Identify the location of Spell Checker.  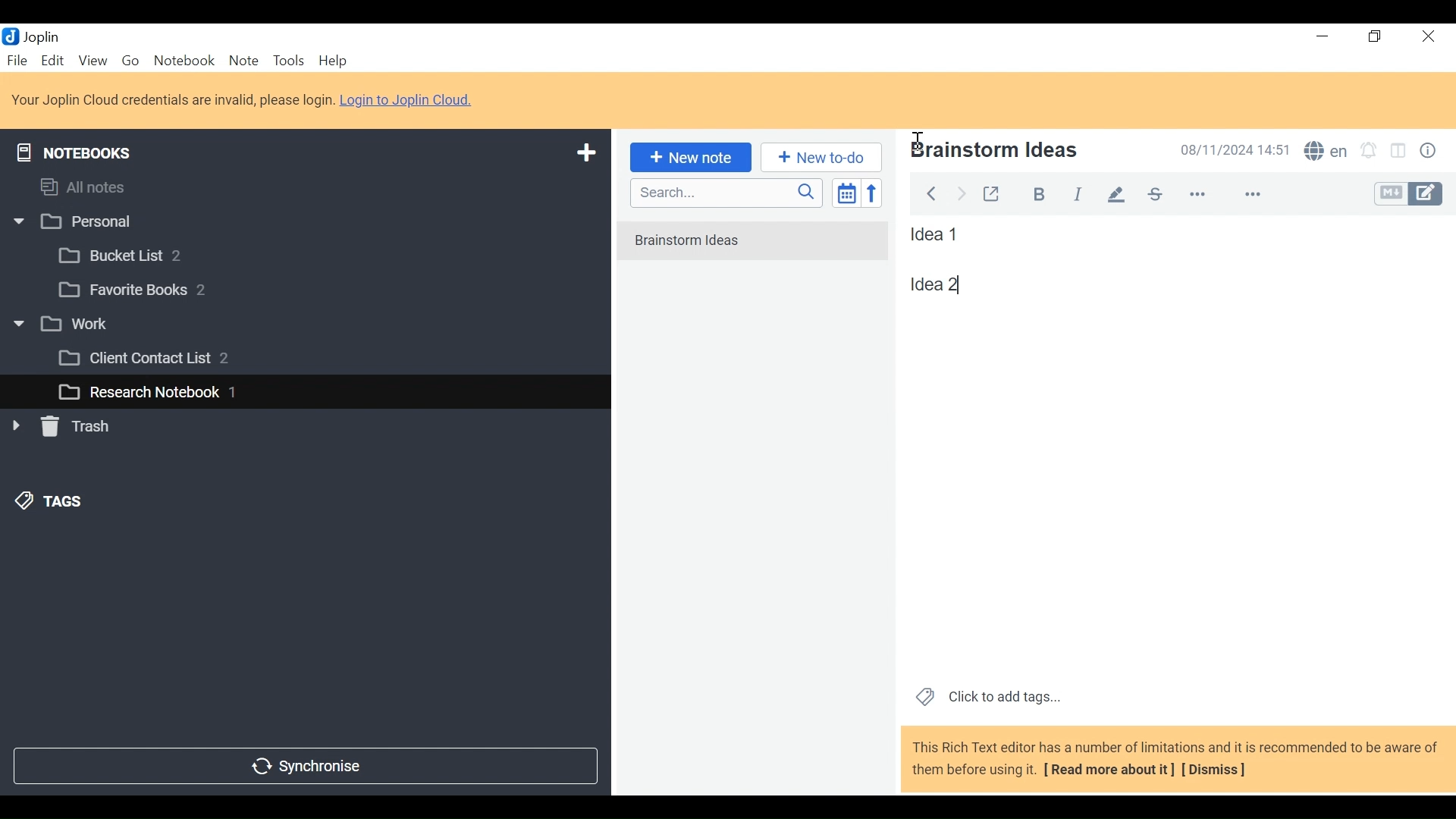
(1326, 152).